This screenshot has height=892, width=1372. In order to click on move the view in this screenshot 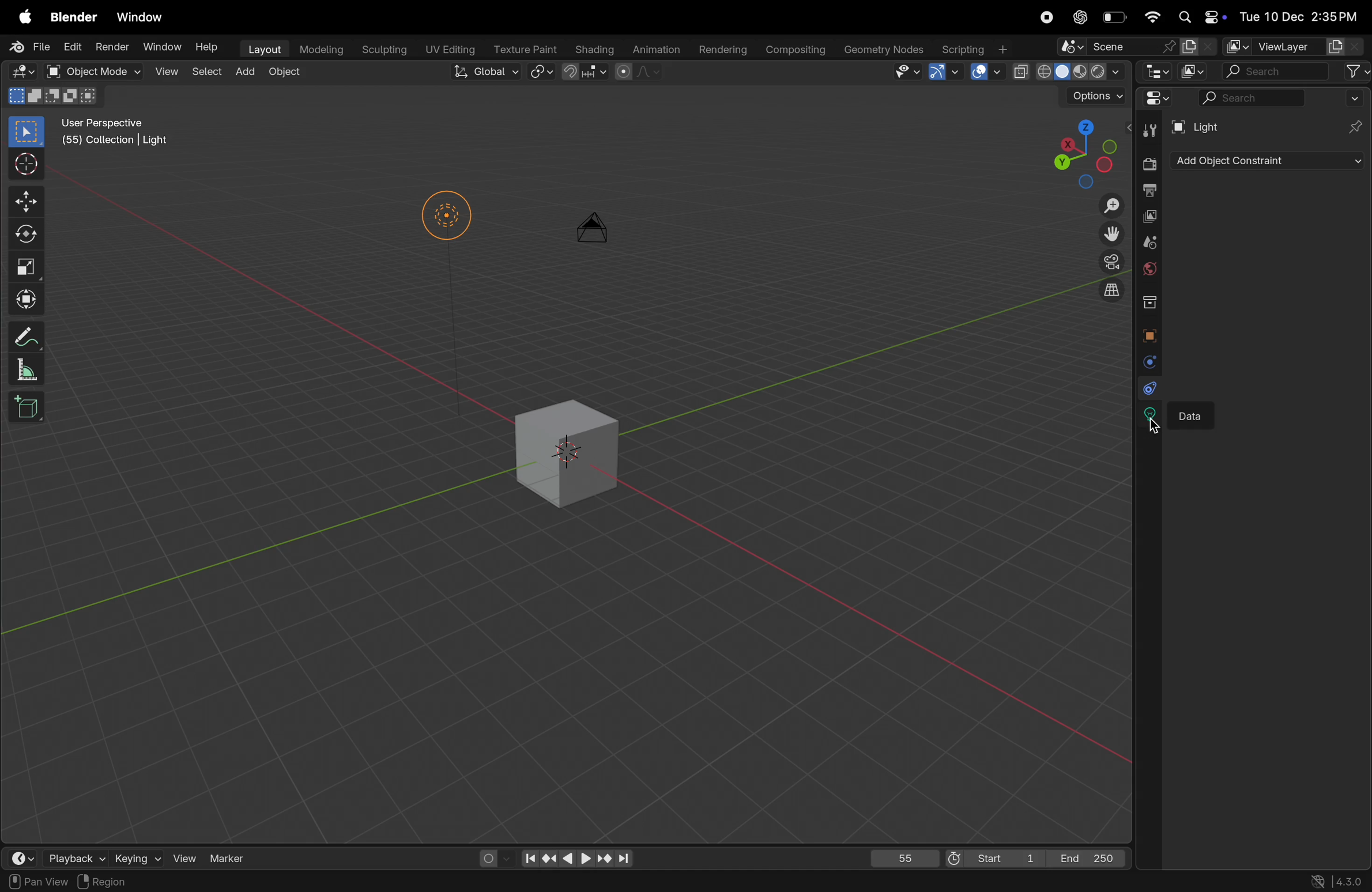, I will do `click(1112, 235)`.